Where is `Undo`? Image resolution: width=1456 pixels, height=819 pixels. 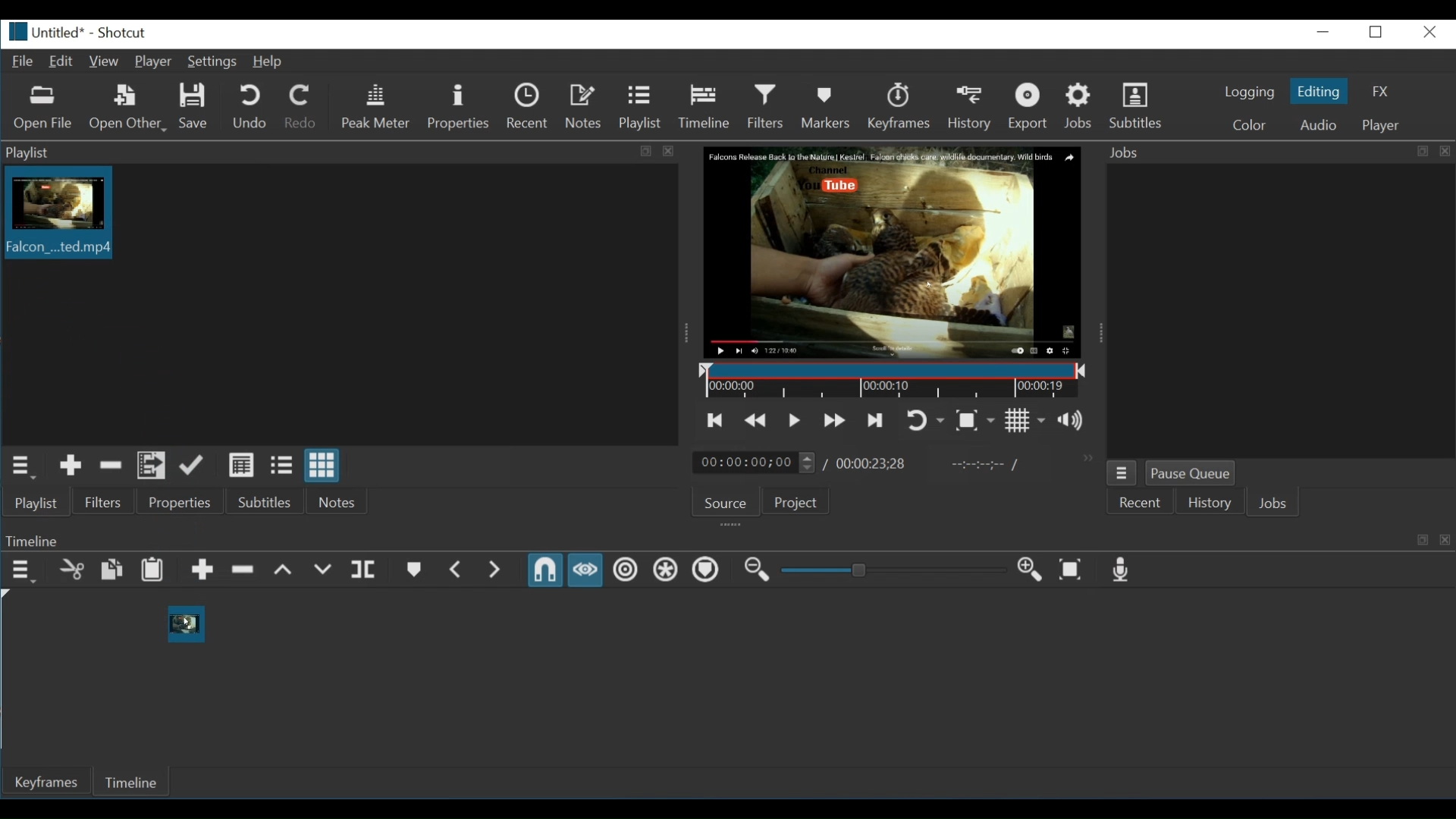
Undo is located at coordinates (252, 106).